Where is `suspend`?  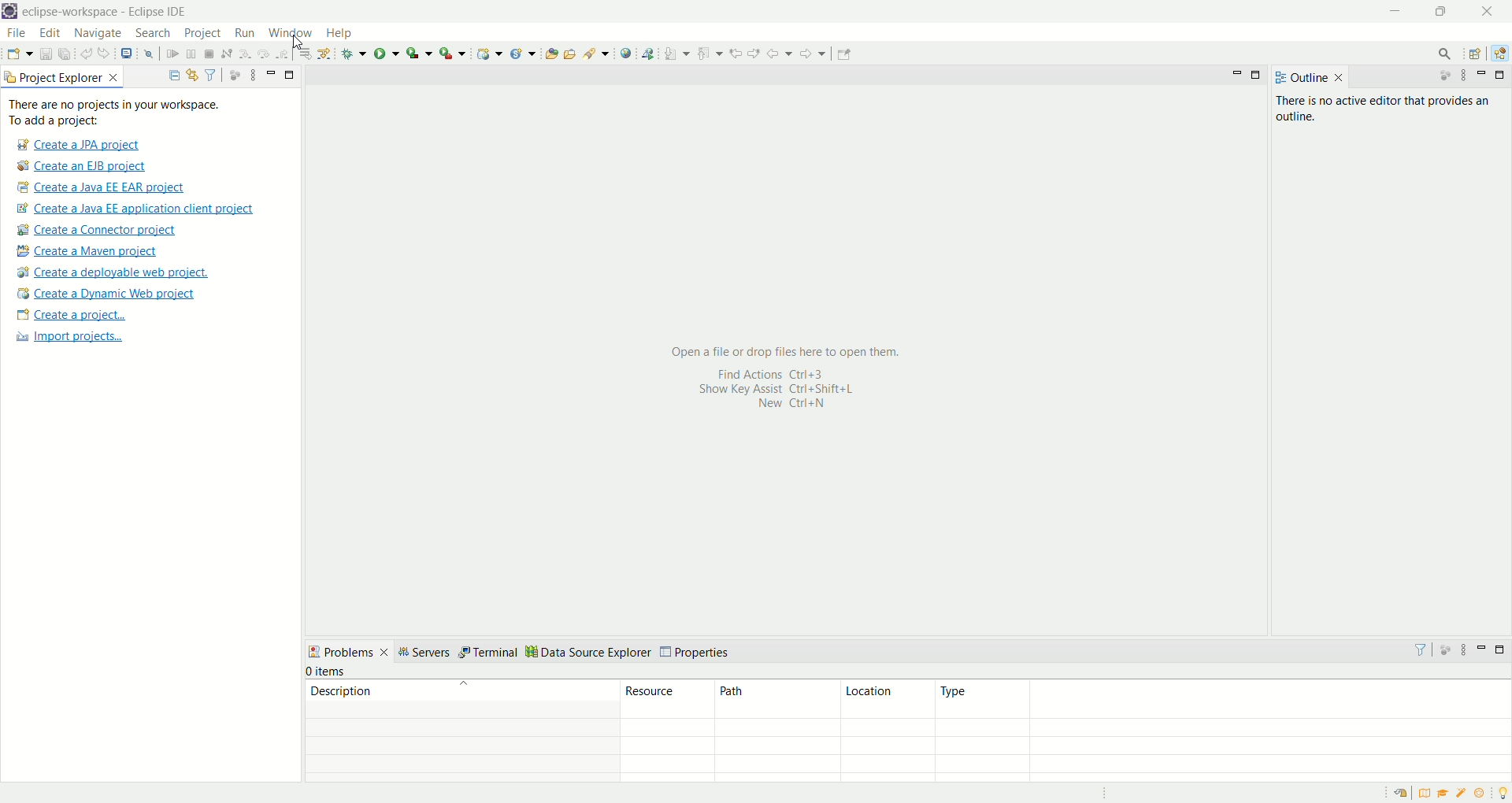 suspend is located at coordinates (191, 55).